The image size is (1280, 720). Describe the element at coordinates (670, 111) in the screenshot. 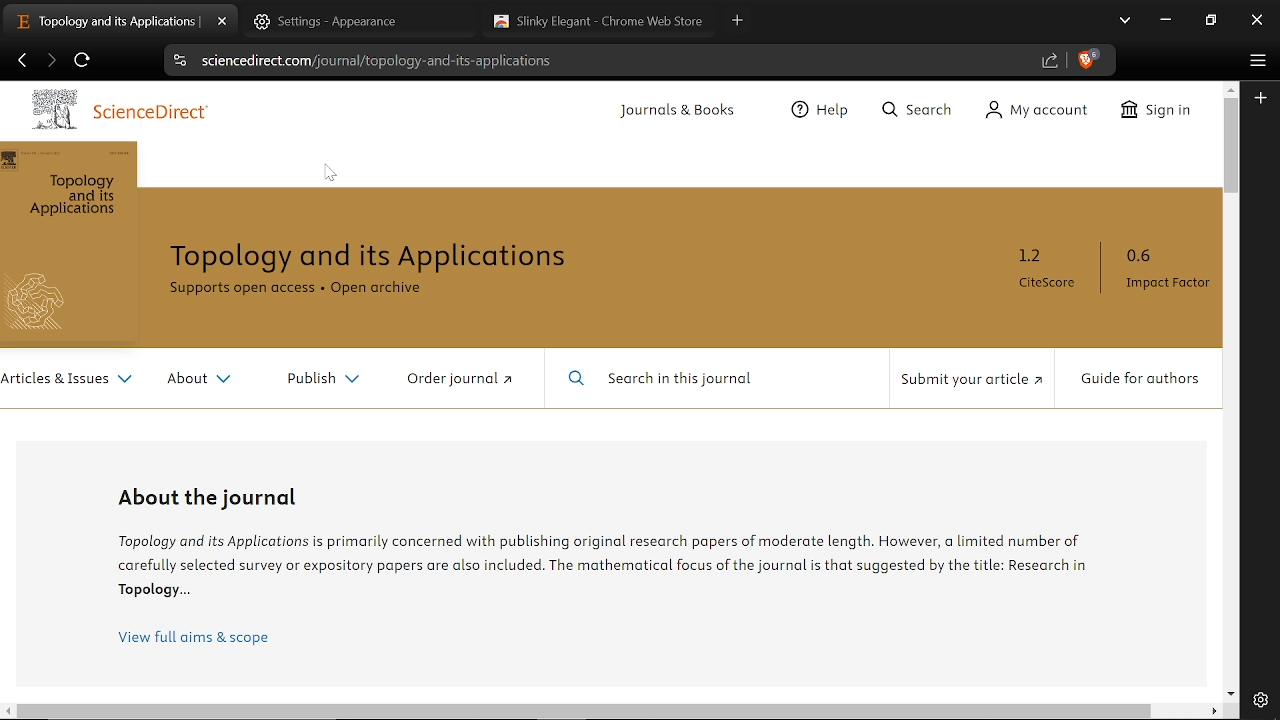

I see `Journals and Books` at that location.